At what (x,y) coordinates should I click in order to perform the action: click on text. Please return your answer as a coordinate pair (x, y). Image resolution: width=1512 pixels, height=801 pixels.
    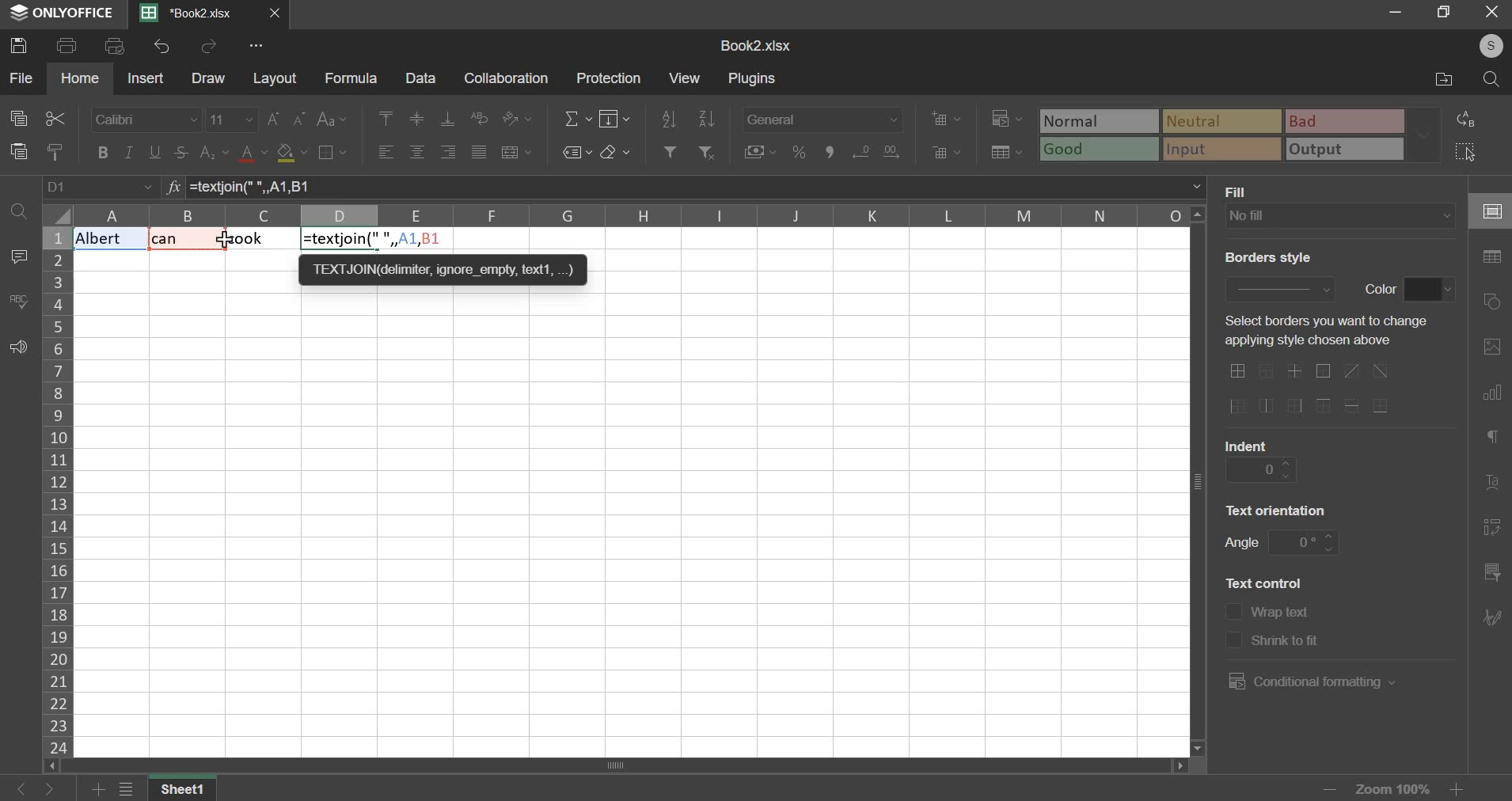
    Looking at the image, I should click on (1266, 257).